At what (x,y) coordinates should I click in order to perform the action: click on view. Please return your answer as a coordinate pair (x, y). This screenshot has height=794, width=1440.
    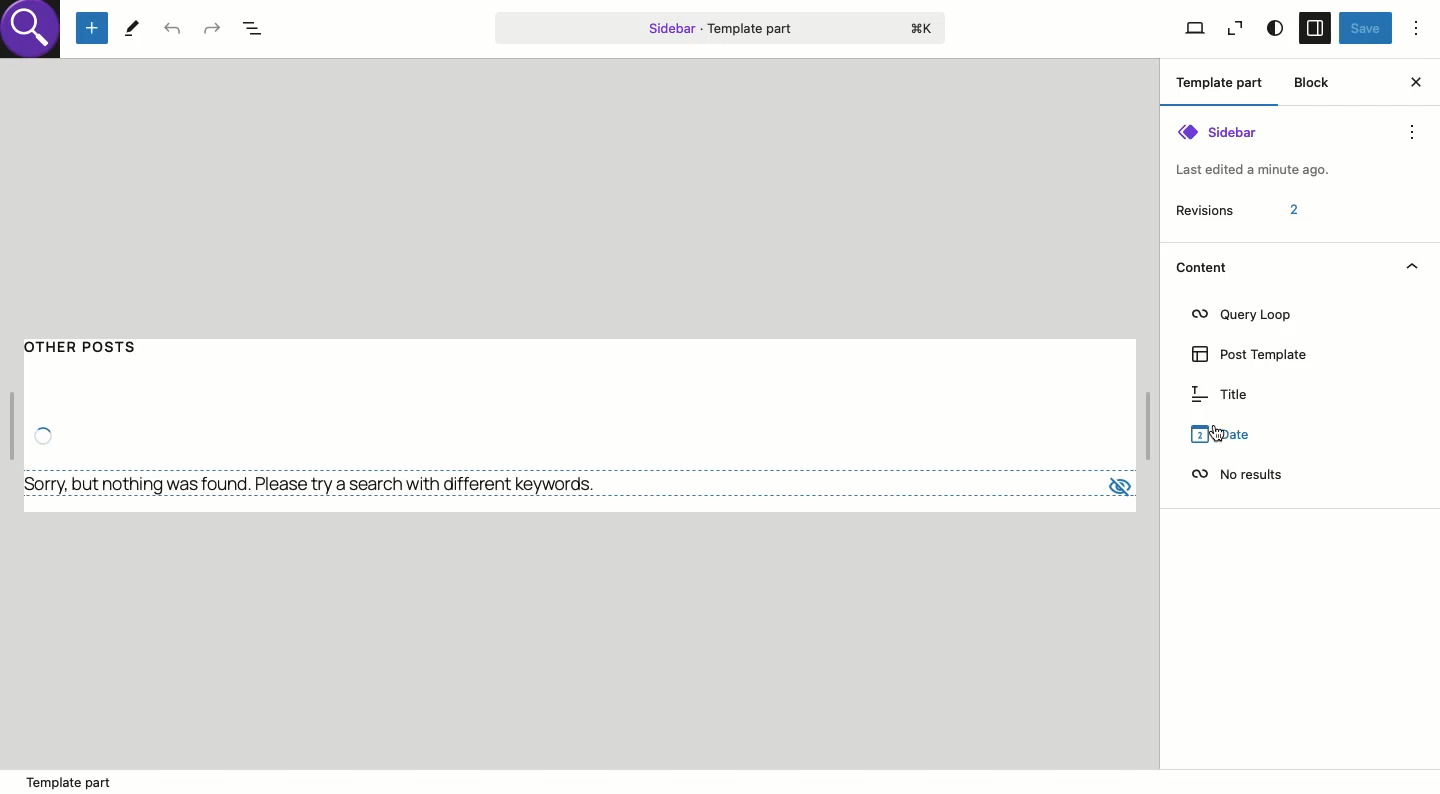
    Looking at the image, I should click on (1115, 484).